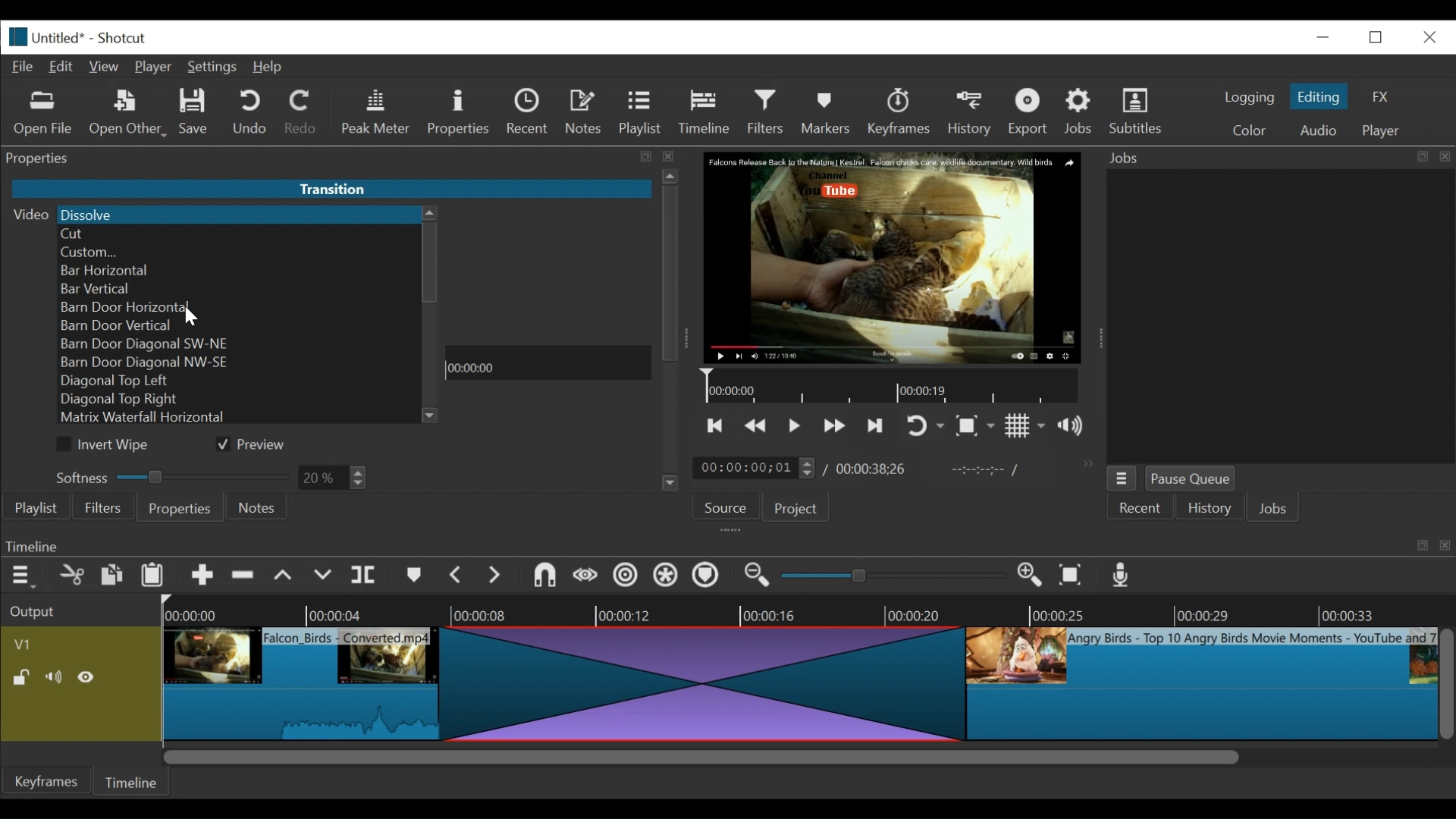 The height and width of the screenshot is (819, 1456). Describe the element at coordinates (457, 578) in the screenshot. I see `Previous marker` at that location.